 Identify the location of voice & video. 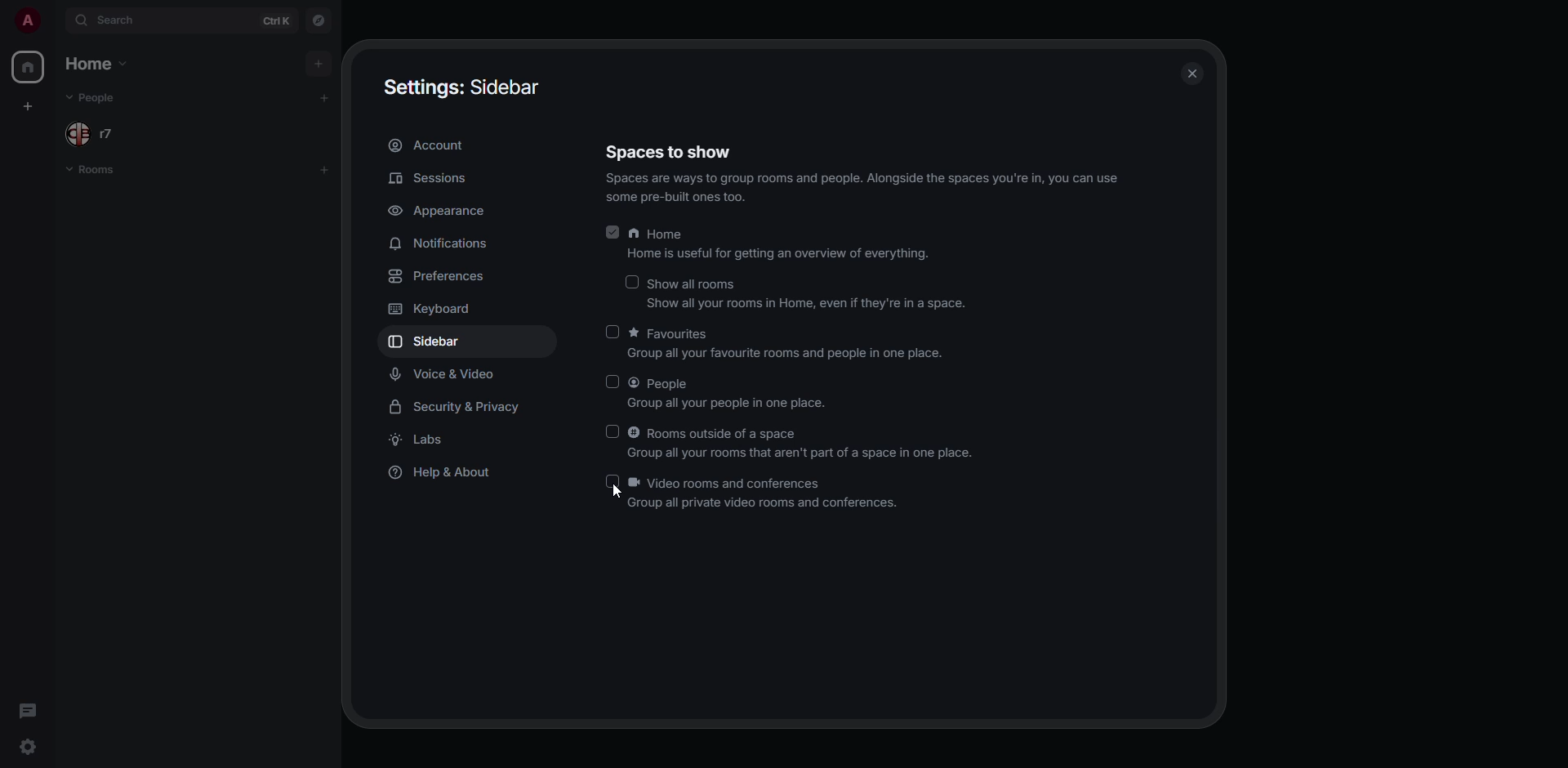
(447, 376).